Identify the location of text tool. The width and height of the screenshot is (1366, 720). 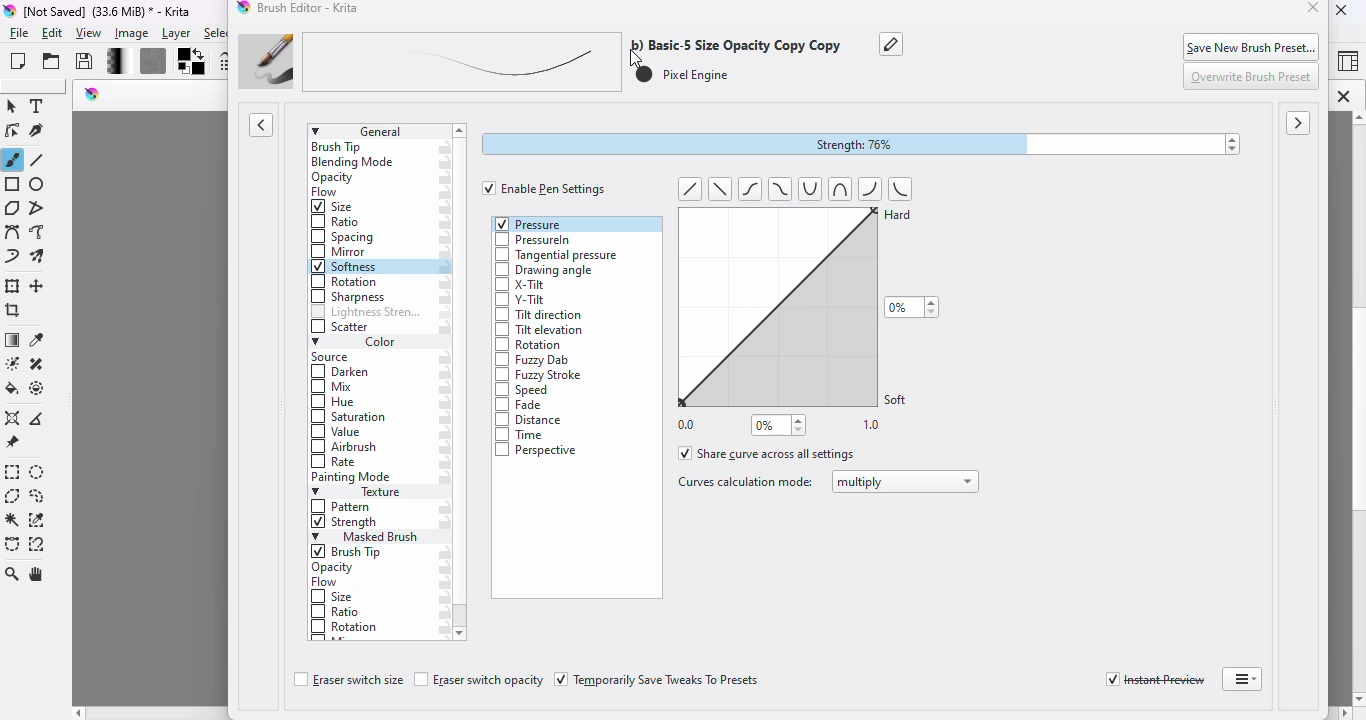
(39, 106).